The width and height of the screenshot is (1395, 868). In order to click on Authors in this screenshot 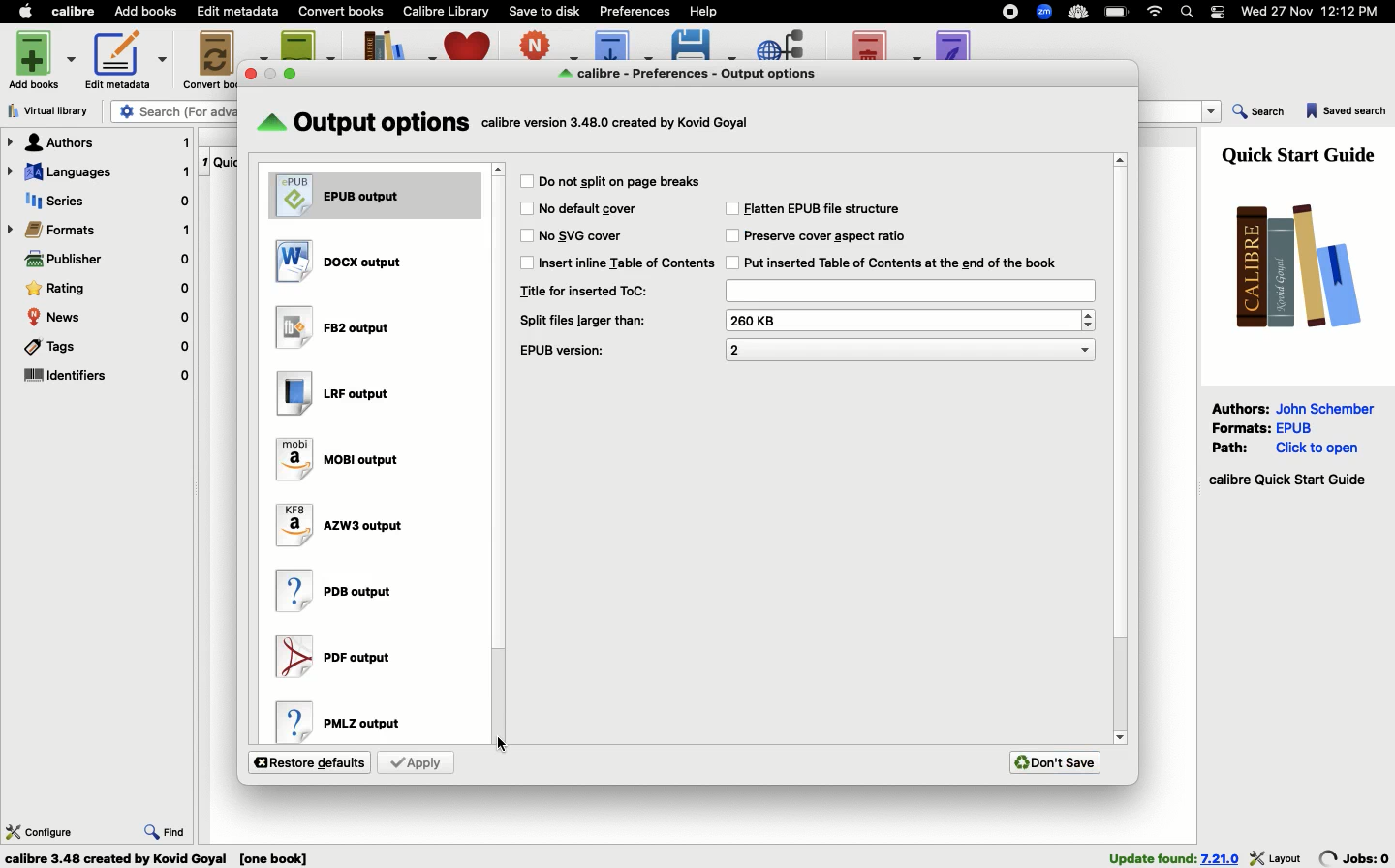, I will do `click(1241, 408)`.